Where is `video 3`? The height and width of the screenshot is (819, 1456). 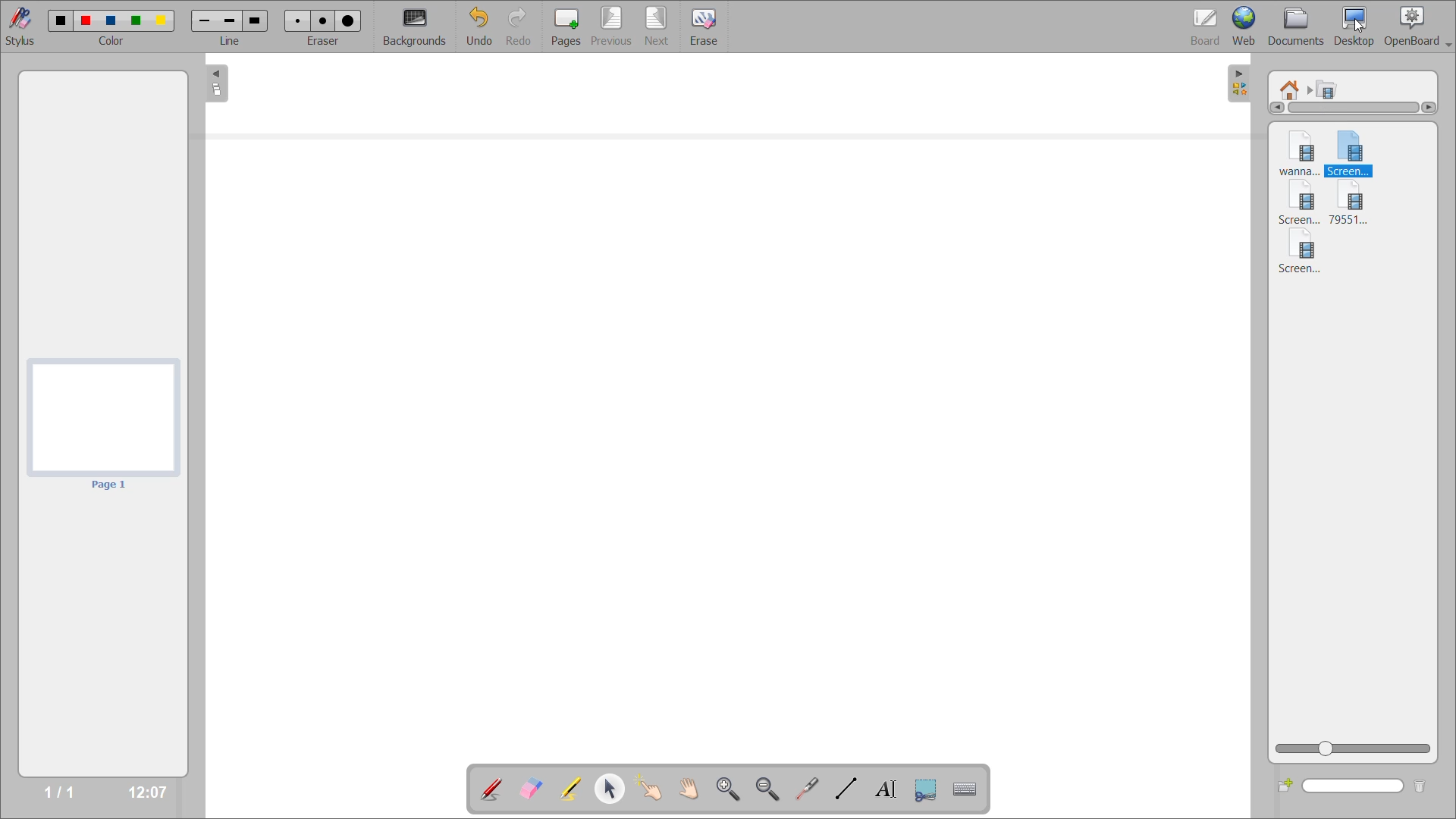
video 3 is located at coordinates (1301, 204).